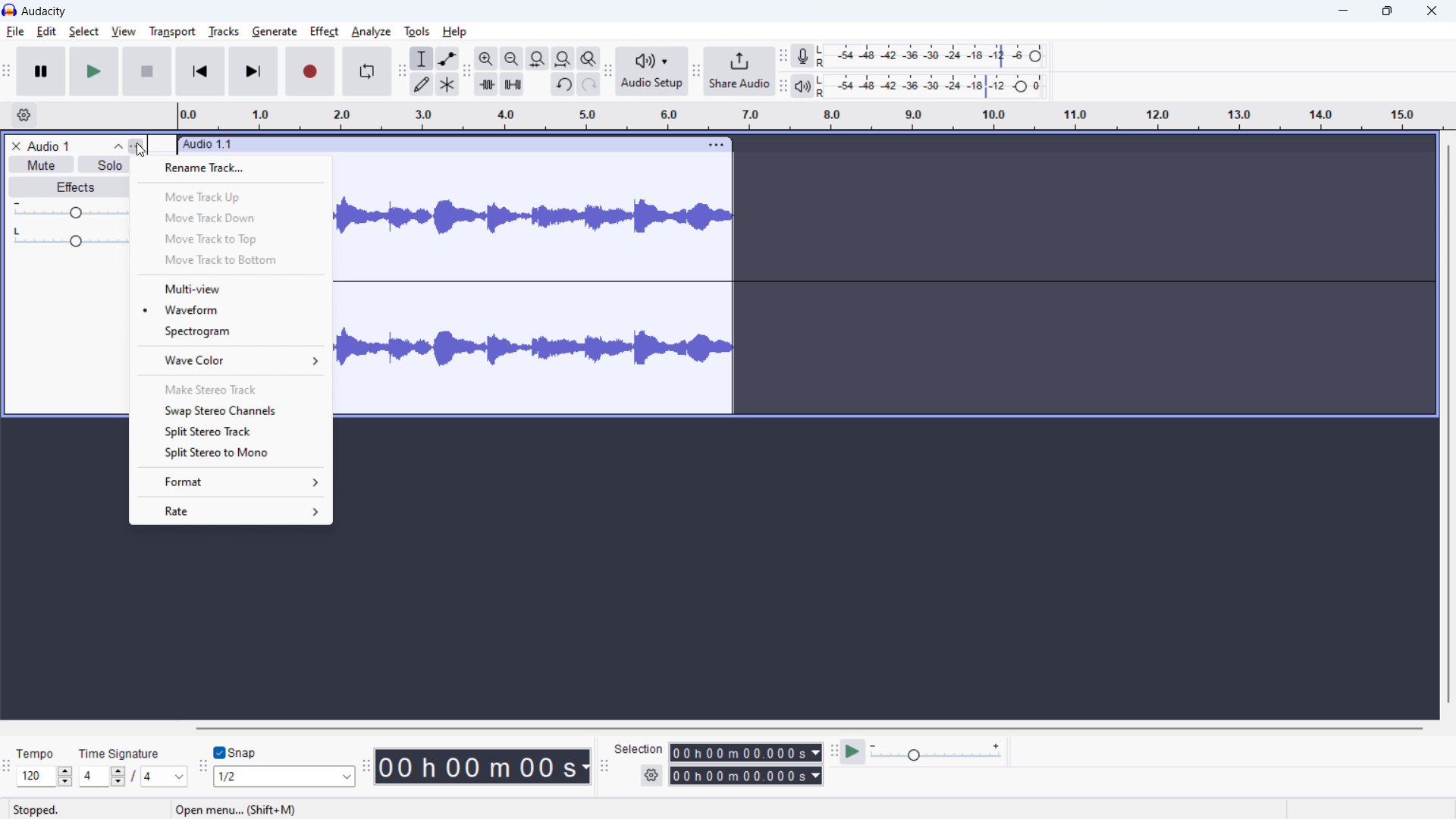 Image resolution: width=1456 pixels, height=819 pixels. What do you see at coordinates (232, 259) in the screenshot?
I see `move track to bottom` at bounding box center [232, 259].